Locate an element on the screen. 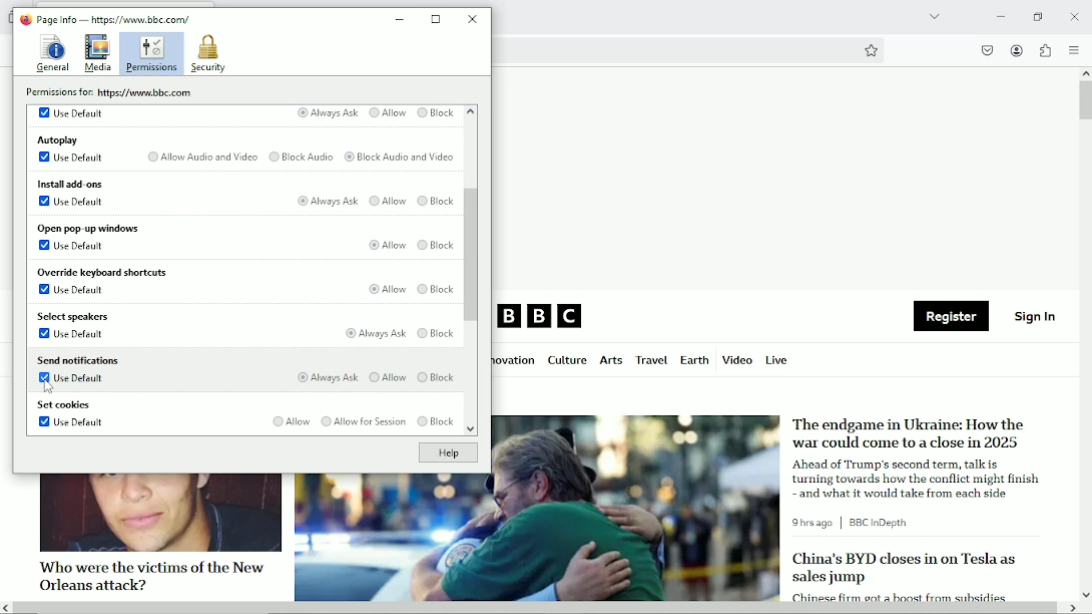 The image size is (1092, 614). Autoplay is located at coordinates (59, 139).